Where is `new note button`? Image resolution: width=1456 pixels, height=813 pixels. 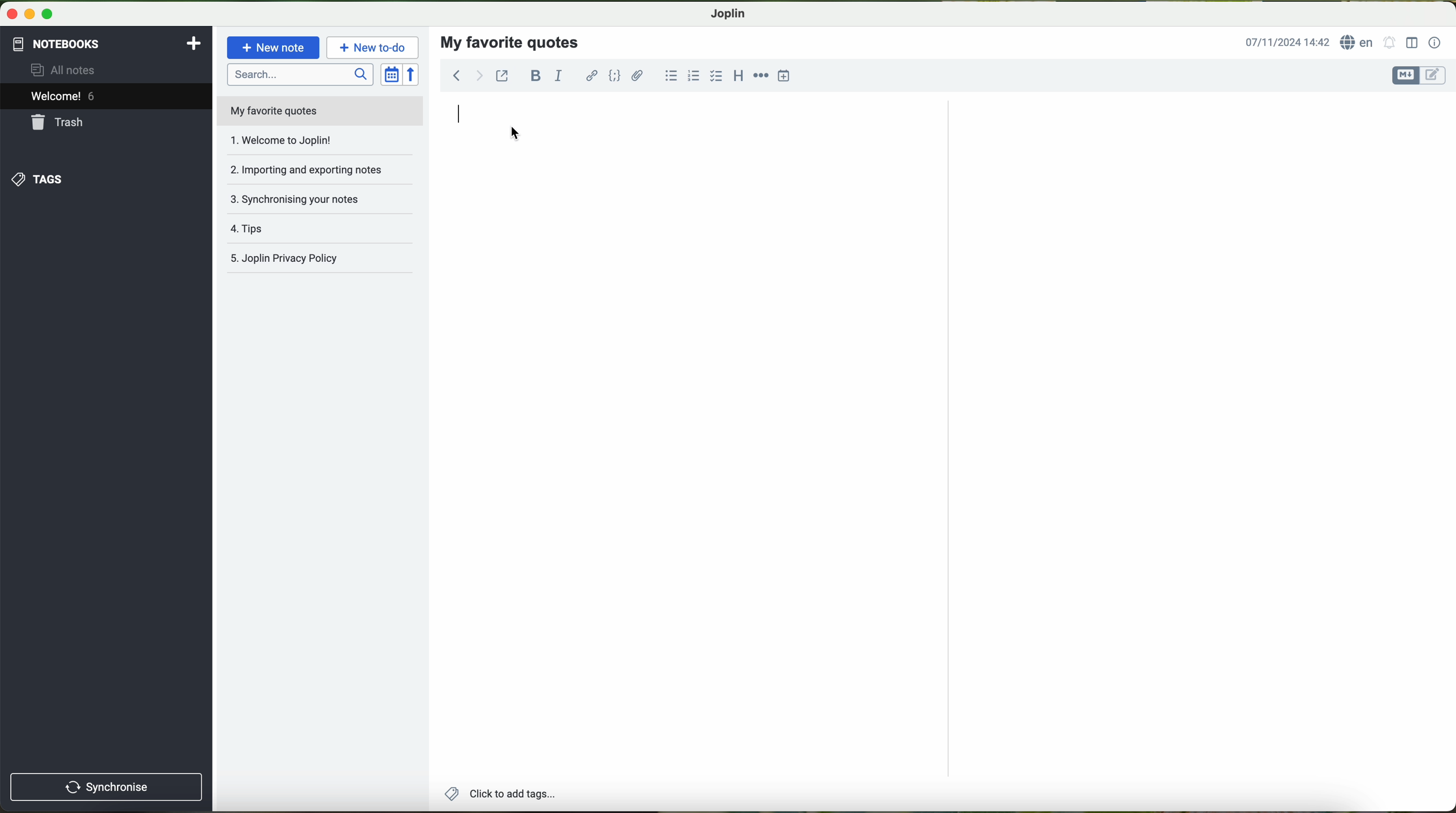
new note button is located at coordinates (274, 47).